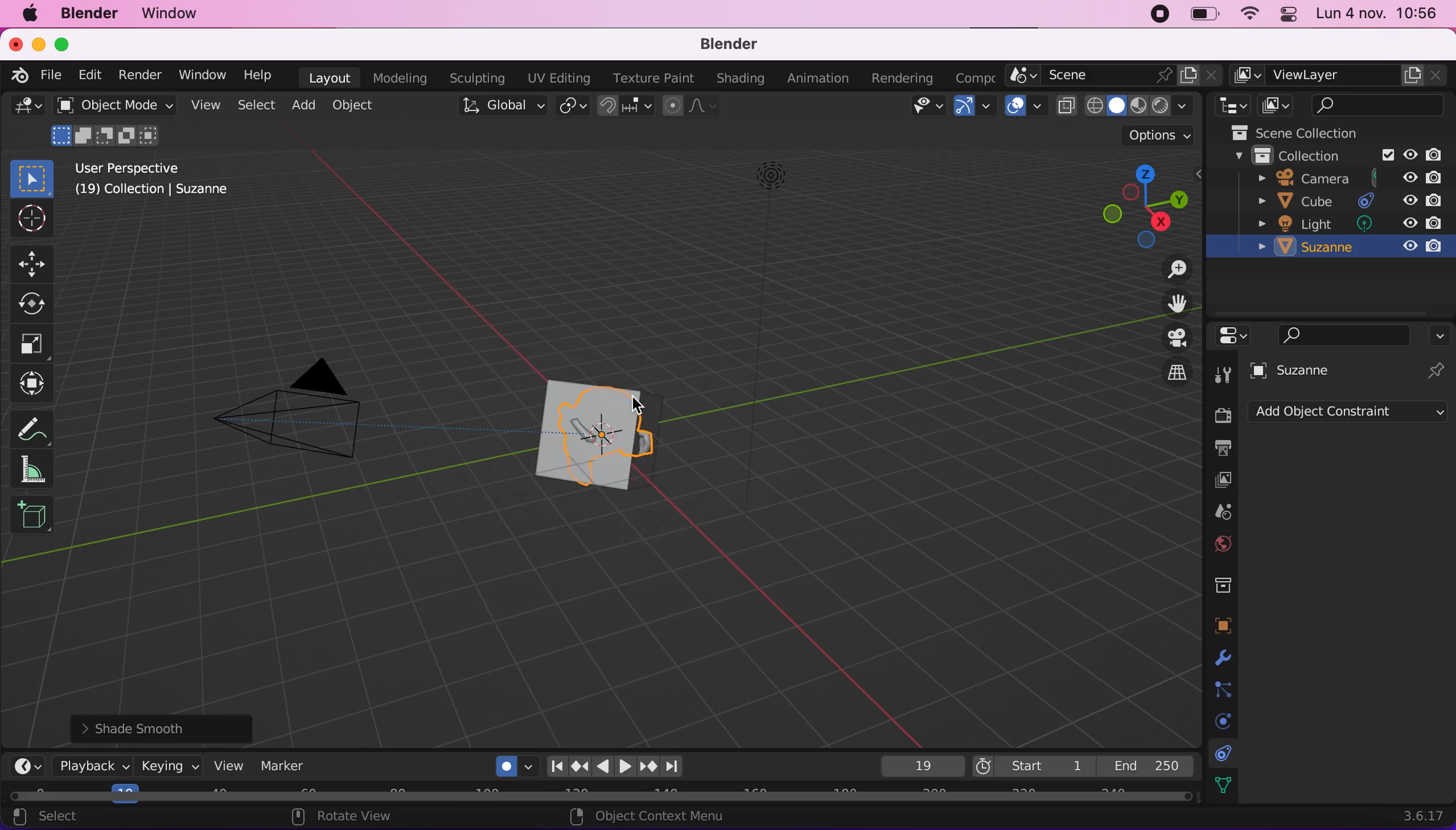 Image resolution: width=1456 pixels, height=830 pixels. I want to click on maximize, so click(67, 44).